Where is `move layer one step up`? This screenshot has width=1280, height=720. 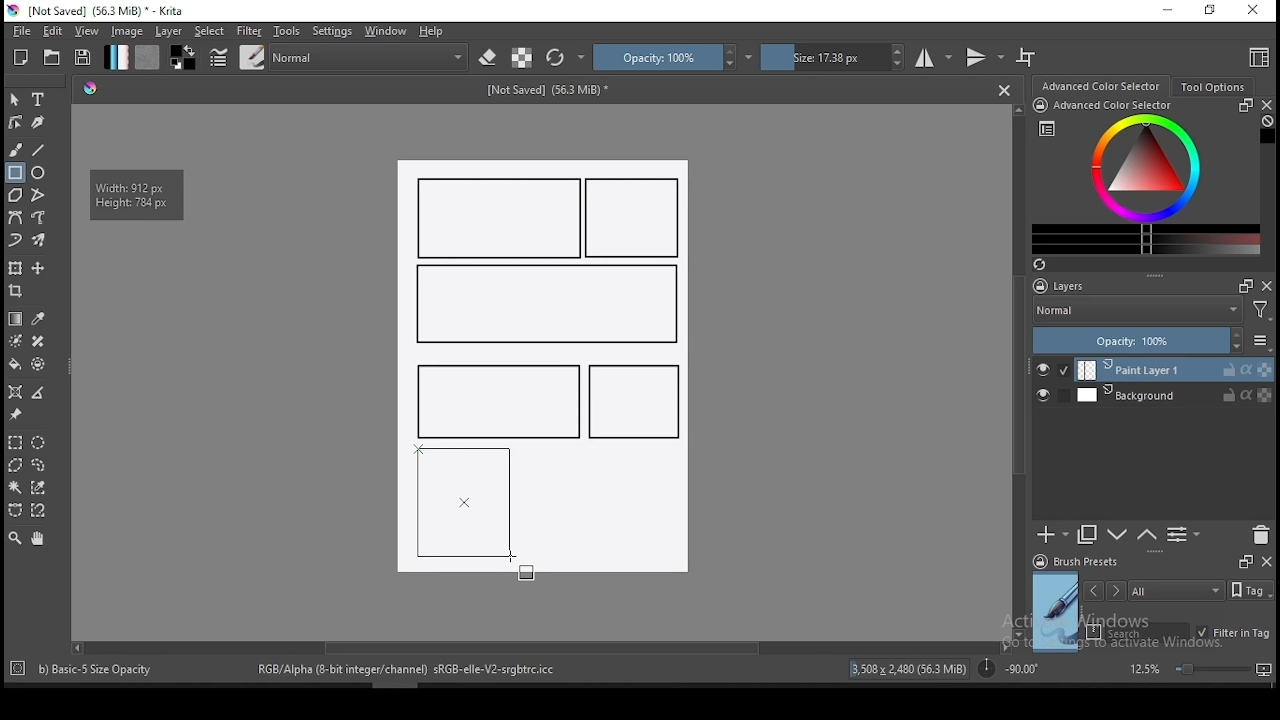 move layer one step up is located at coordinates (1118, 537).